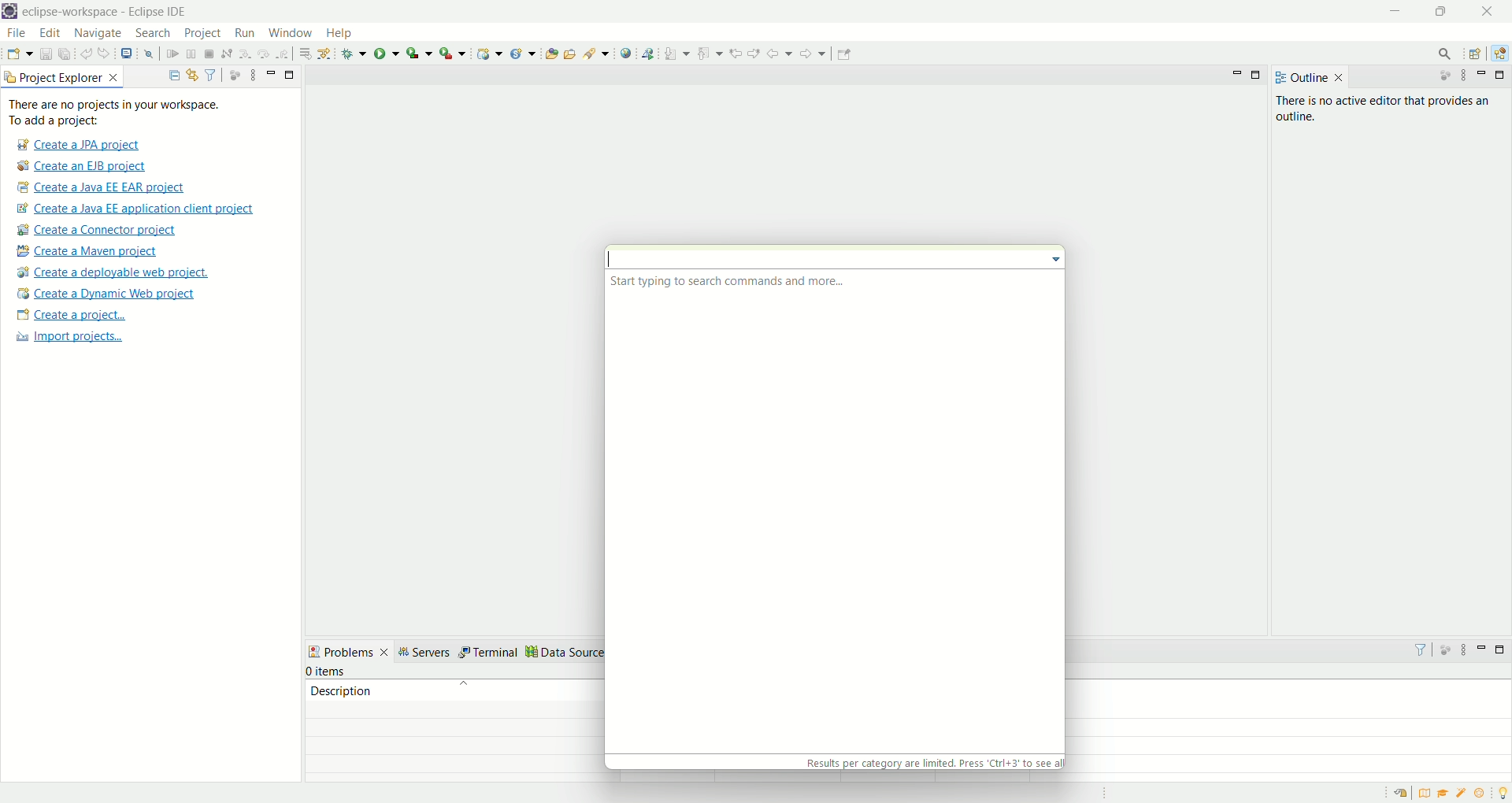 This screenshot has height=803, width=1512. Describe the element at coordinates (1483, 794) in the screenshot. I see `what's new` at that location.